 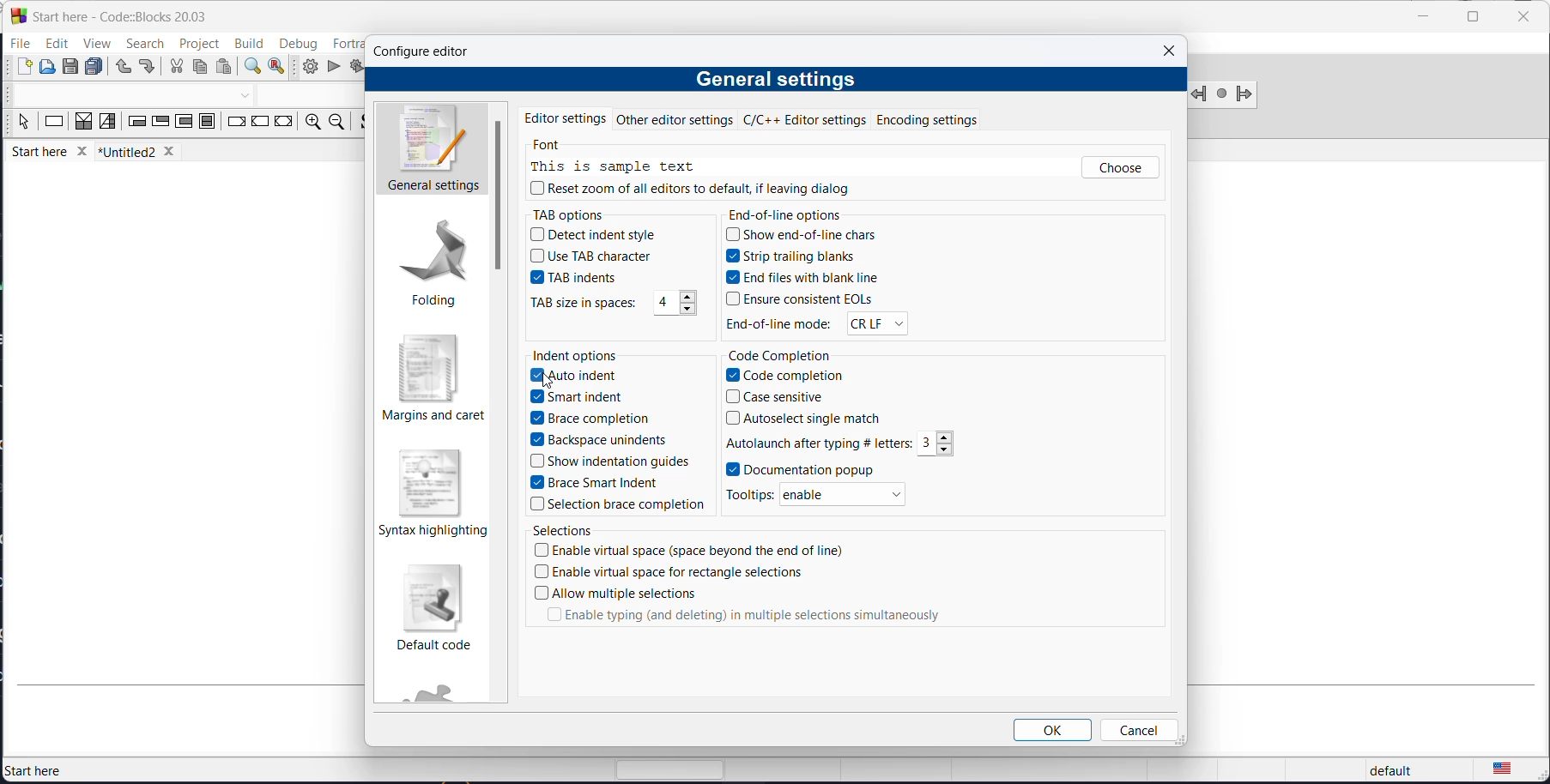 What do you see at coordinates (599, 440) in the screenshot?
I see `backspace unindent` at bounding box center [599, 440].